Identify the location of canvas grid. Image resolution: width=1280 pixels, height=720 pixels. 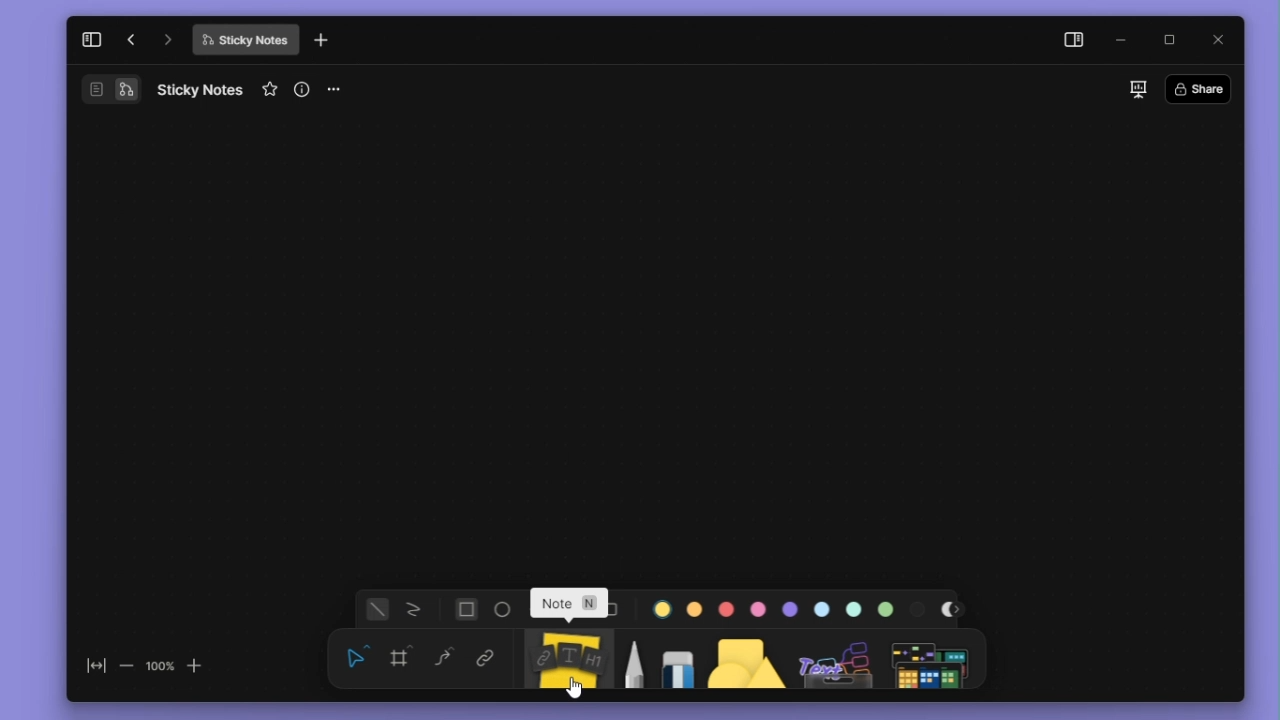
(654, 349).